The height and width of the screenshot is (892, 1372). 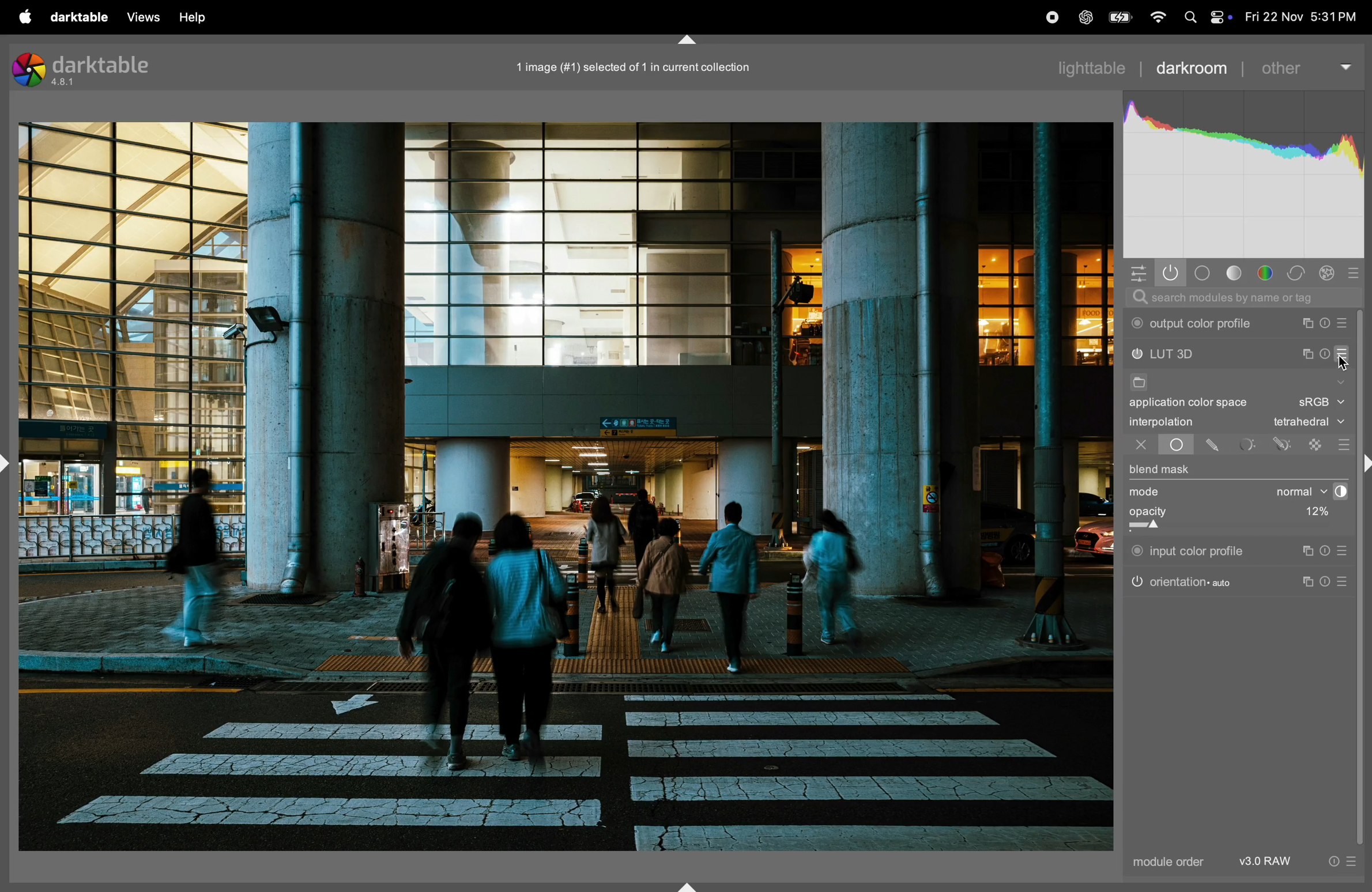 I want to click on lut 3d, so click(x=1187, y=355).